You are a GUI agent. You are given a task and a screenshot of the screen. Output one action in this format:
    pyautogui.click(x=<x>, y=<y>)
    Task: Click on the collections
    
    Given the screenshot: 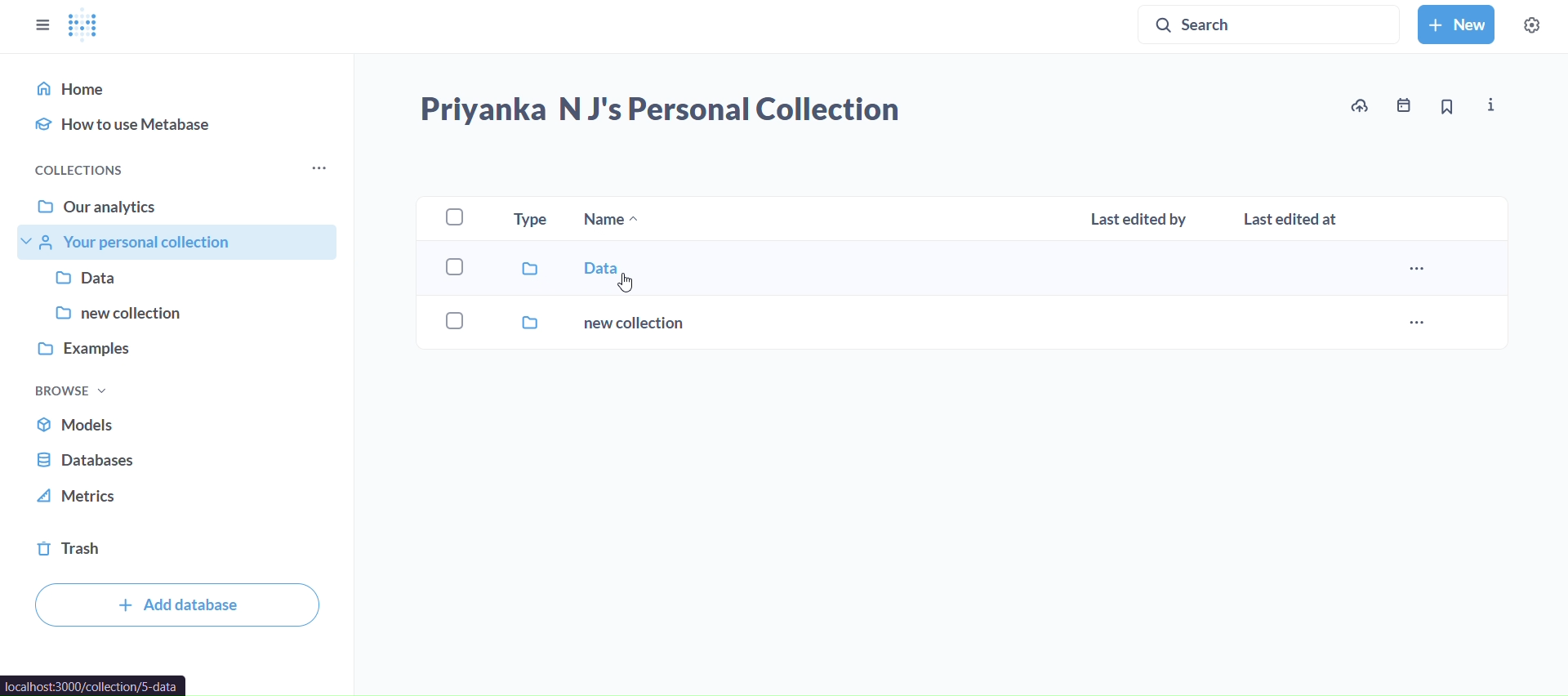 What is the action you would take?
    pyautogui.click(x=123, y=172)
    